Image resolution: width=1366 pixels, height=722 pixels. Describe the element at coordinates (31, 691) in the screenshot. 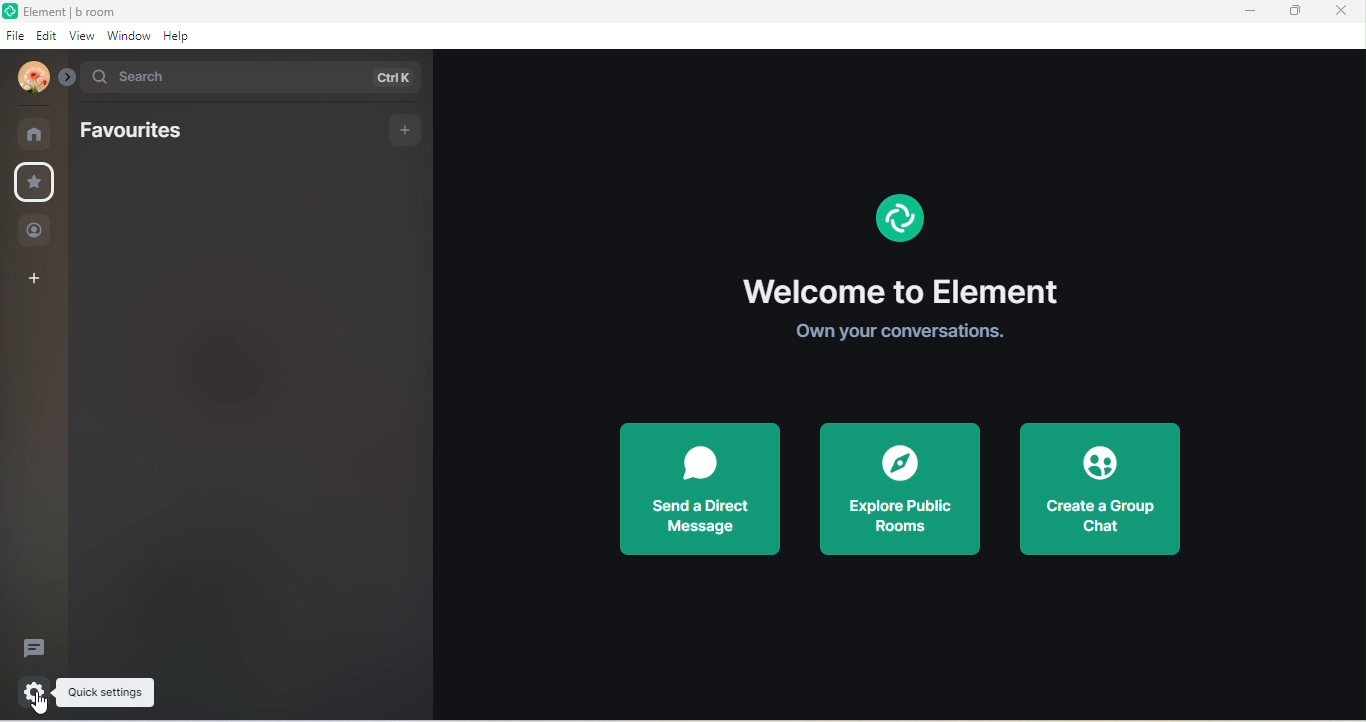

I see `settings` at that location.